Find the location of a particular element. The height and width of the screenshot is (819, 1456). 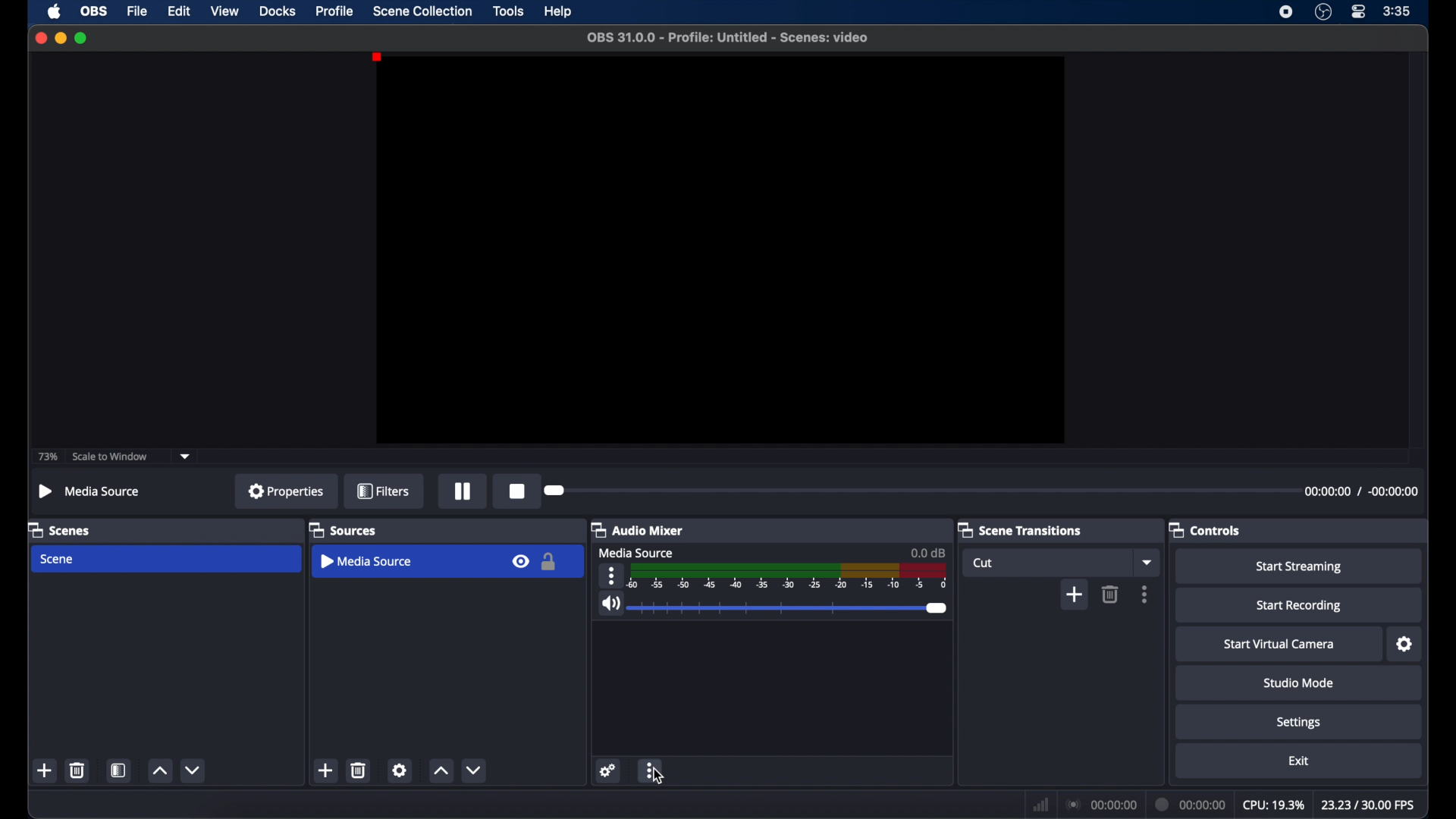

start recording is located at coordinates (1300, 607).